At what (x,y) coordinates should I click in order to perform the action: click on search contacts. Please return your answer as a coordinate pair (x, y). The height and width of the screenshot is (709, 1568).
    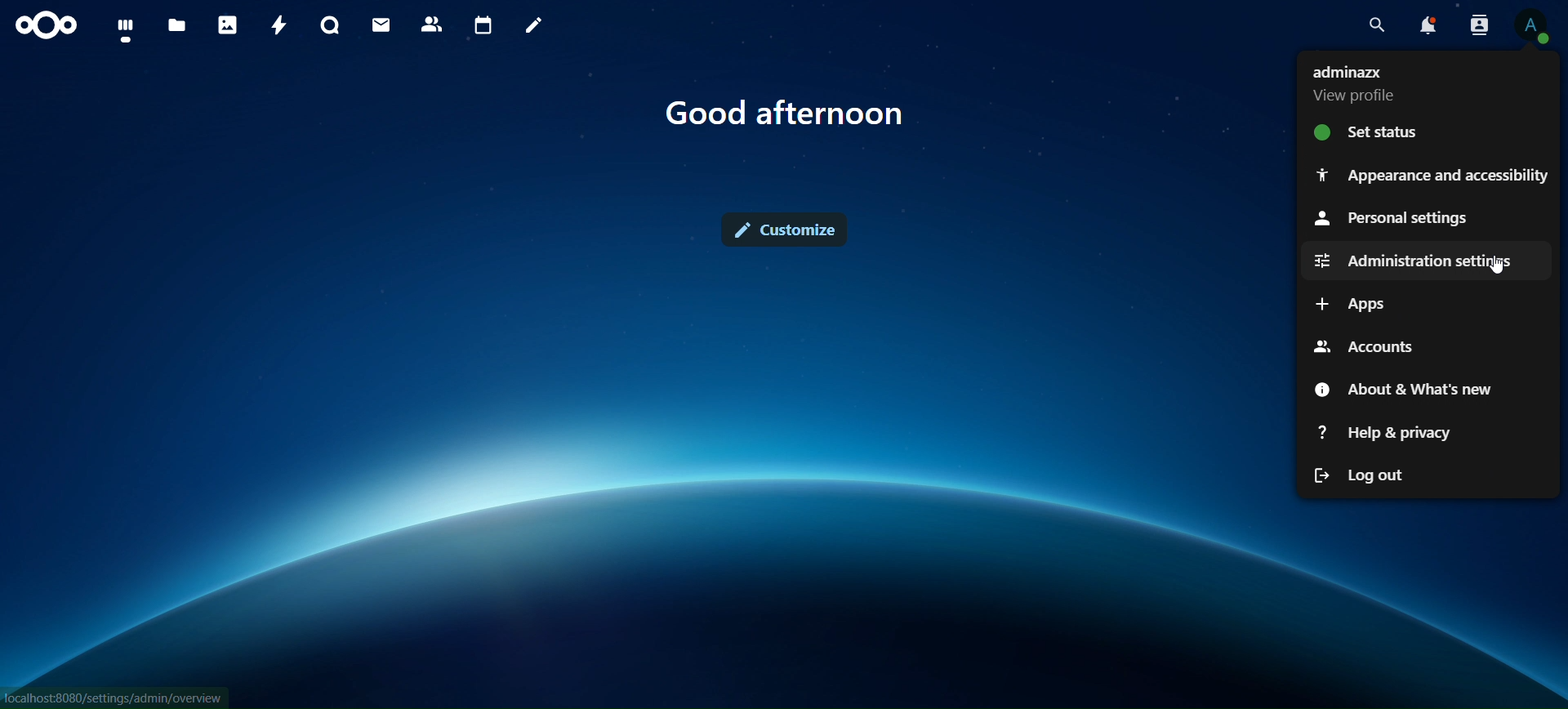
    Looking at the image, I should click on (1477, 27).